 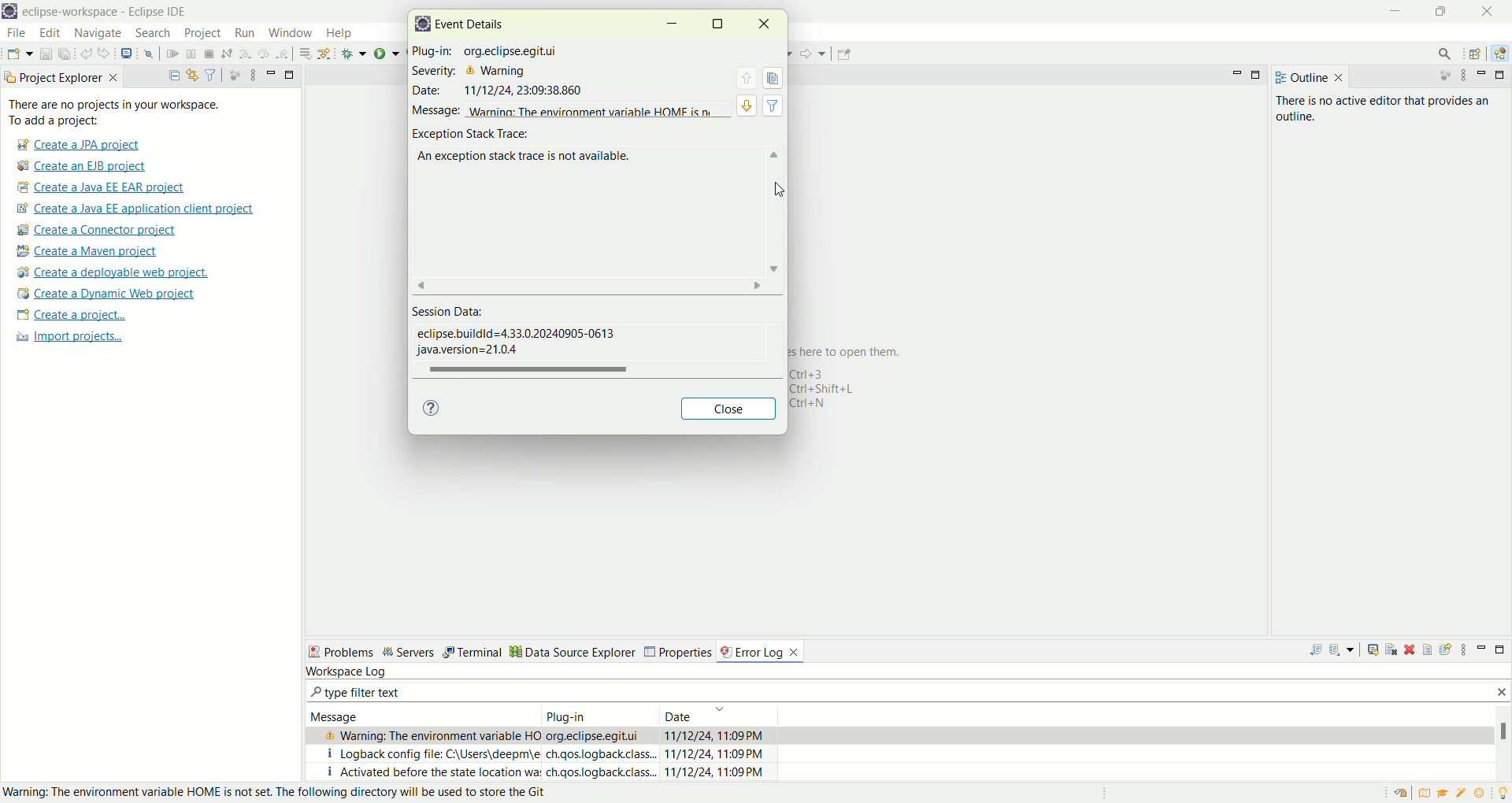 What do you see at coordinates (771, 77) in the screenshot?
I see `copy event details to clipboard` at bounding box center [771, 77].